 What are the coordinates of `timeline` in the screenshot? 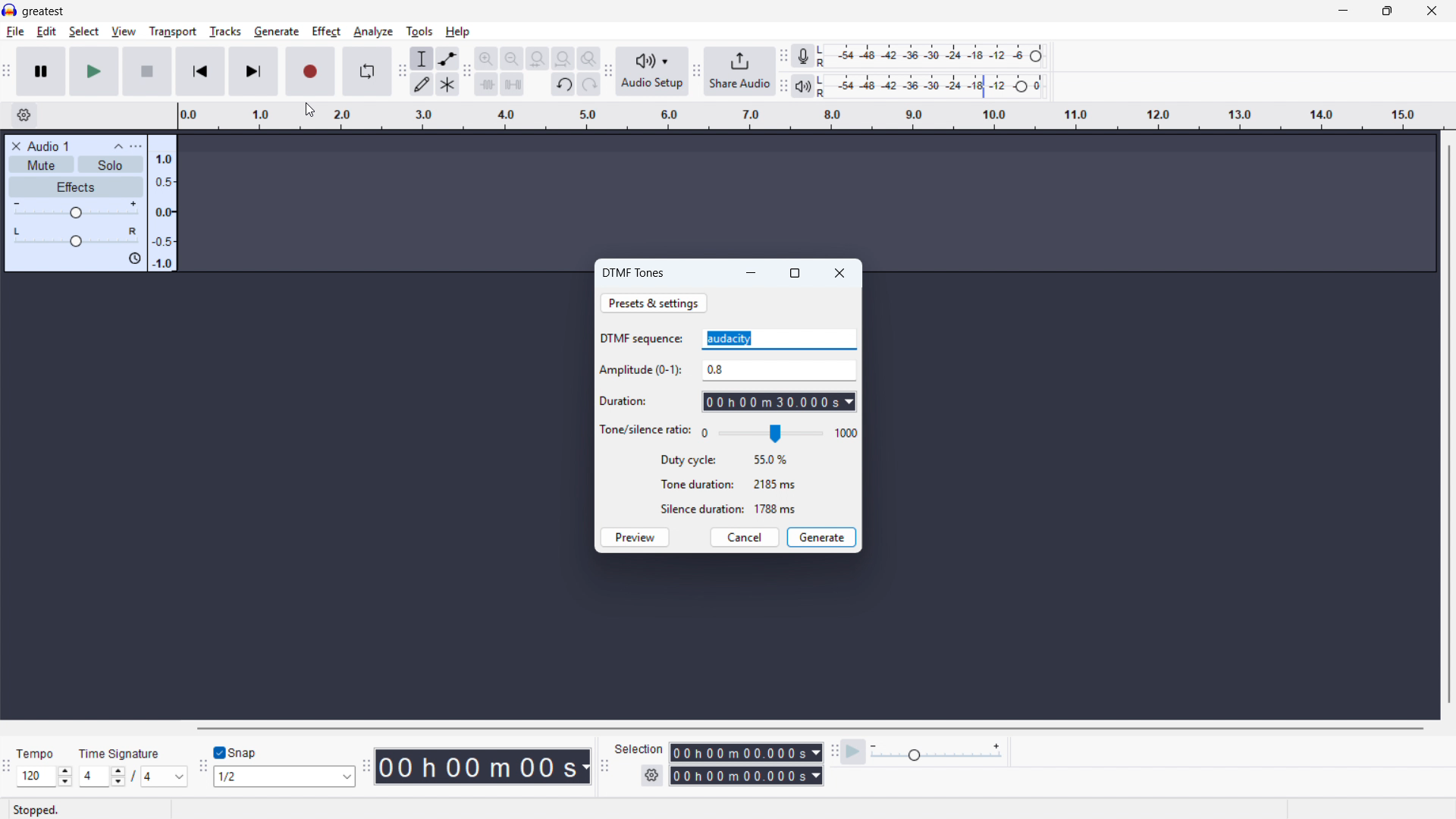 It's located at (811, 116).